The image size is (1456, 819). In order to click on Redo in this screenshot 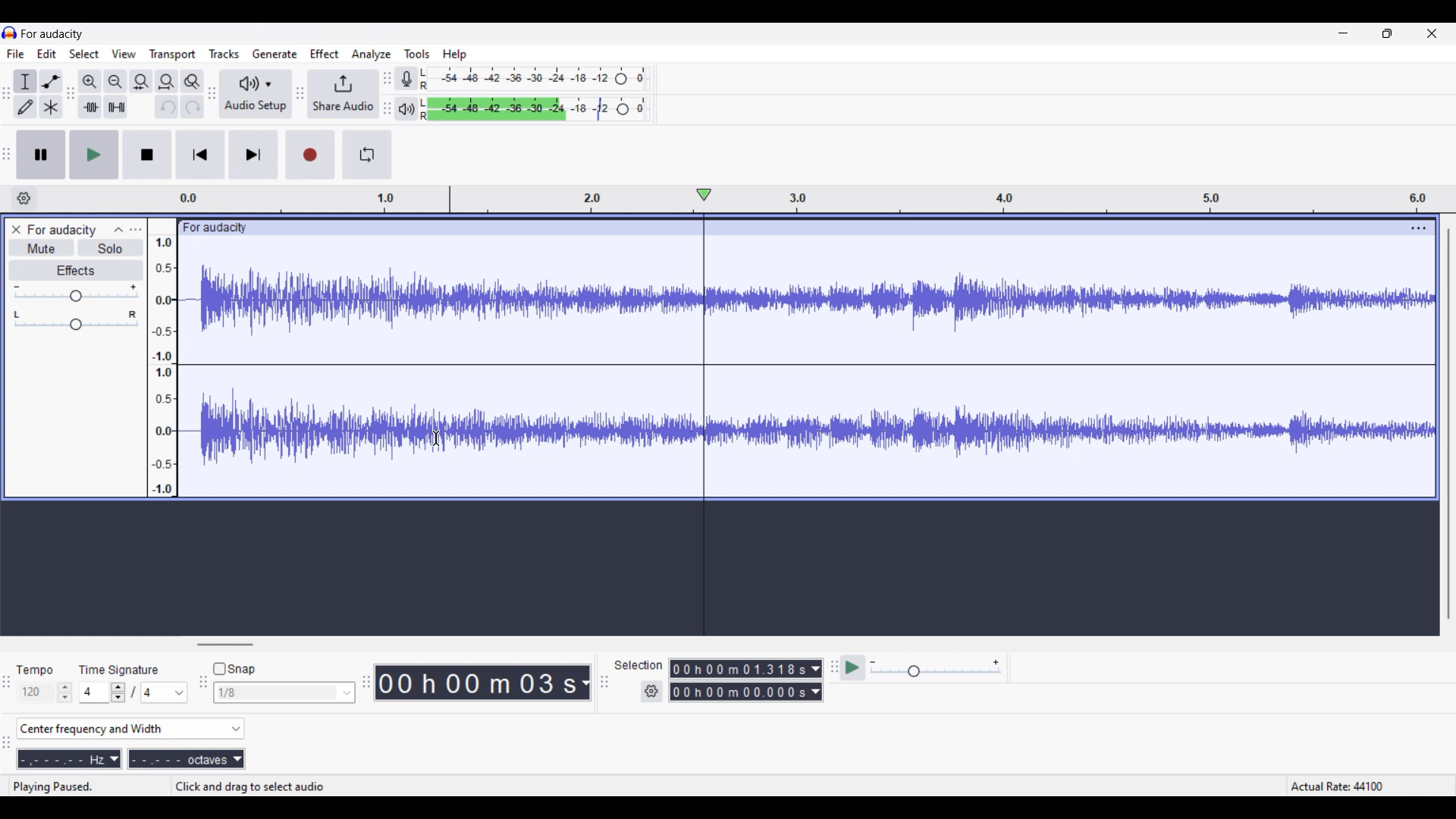, I will do `click(193, 107)`.